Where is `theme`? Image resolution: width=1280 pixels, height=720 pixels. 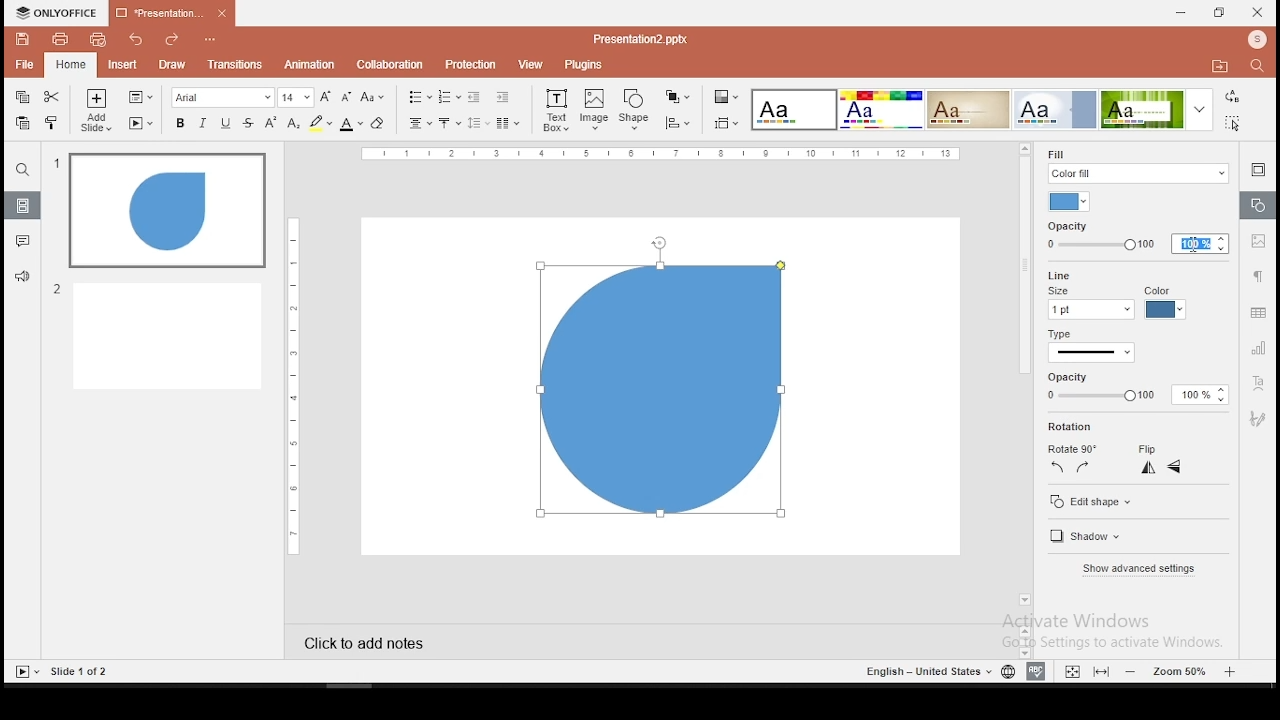 theme is located at coordinates (1056, 109).